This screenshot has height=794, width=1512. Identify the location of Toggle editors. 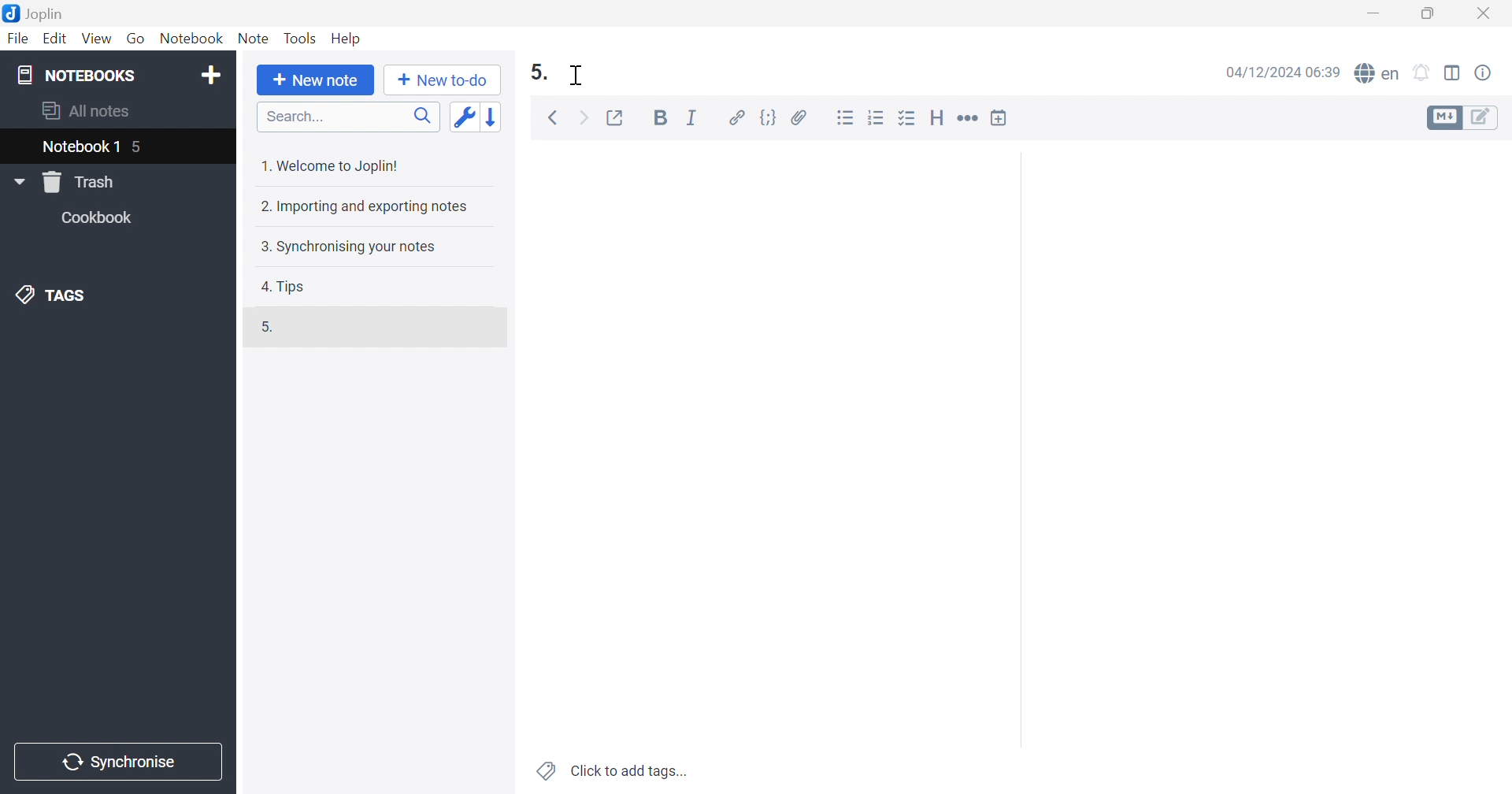
(1466, 119).